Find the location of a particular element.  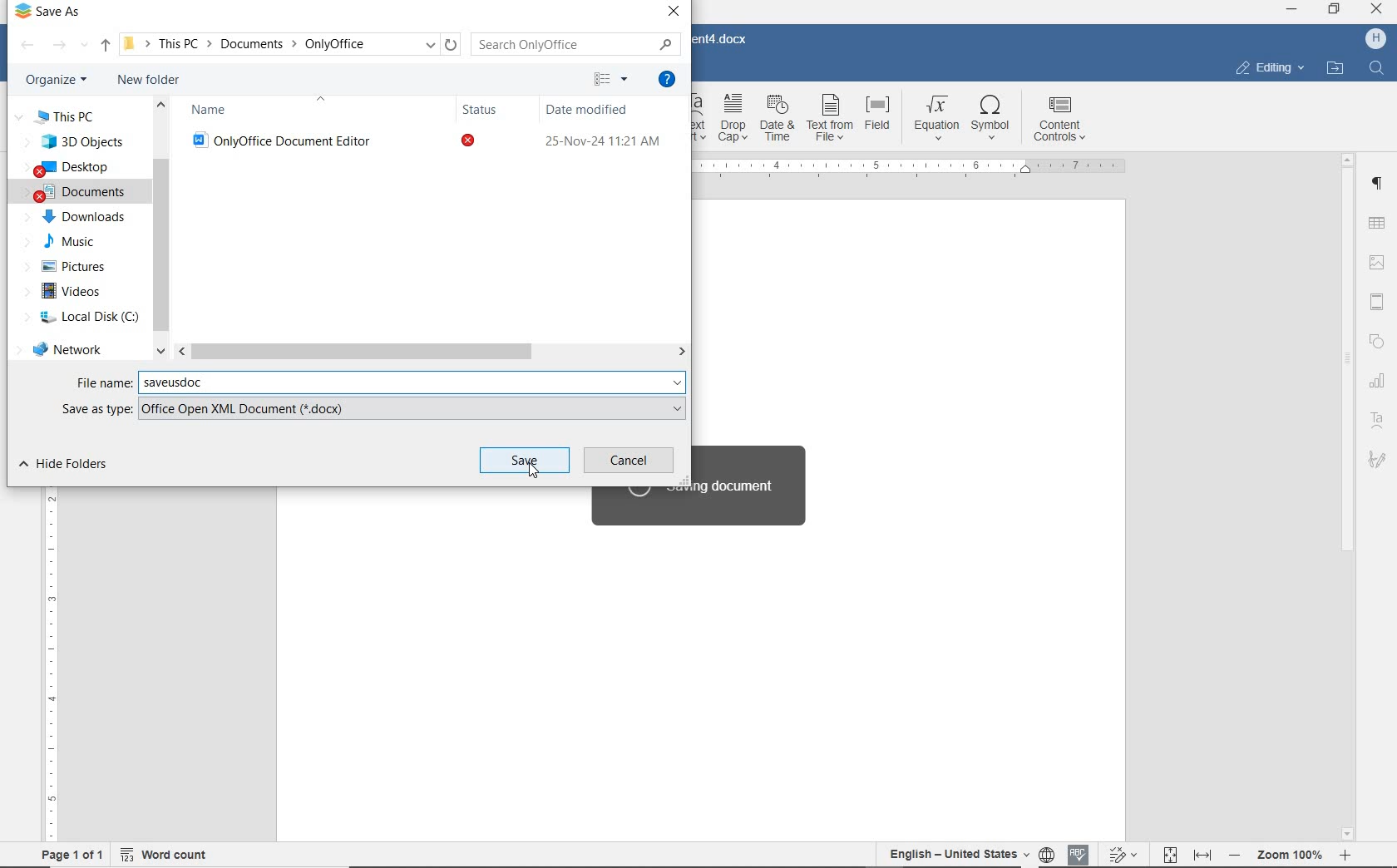

saveusdoc(saved in new name) is located at coordinates (330, 383).